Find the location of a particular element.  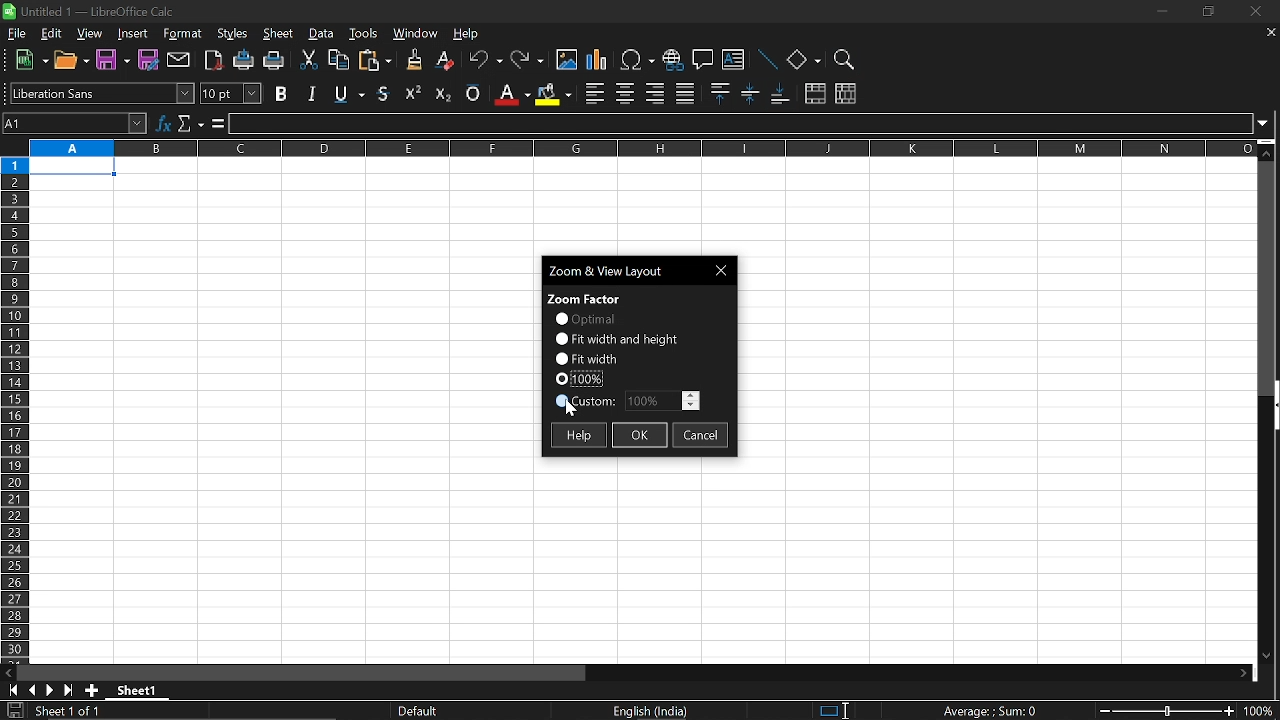

close is located at coordinates (1252, 13).